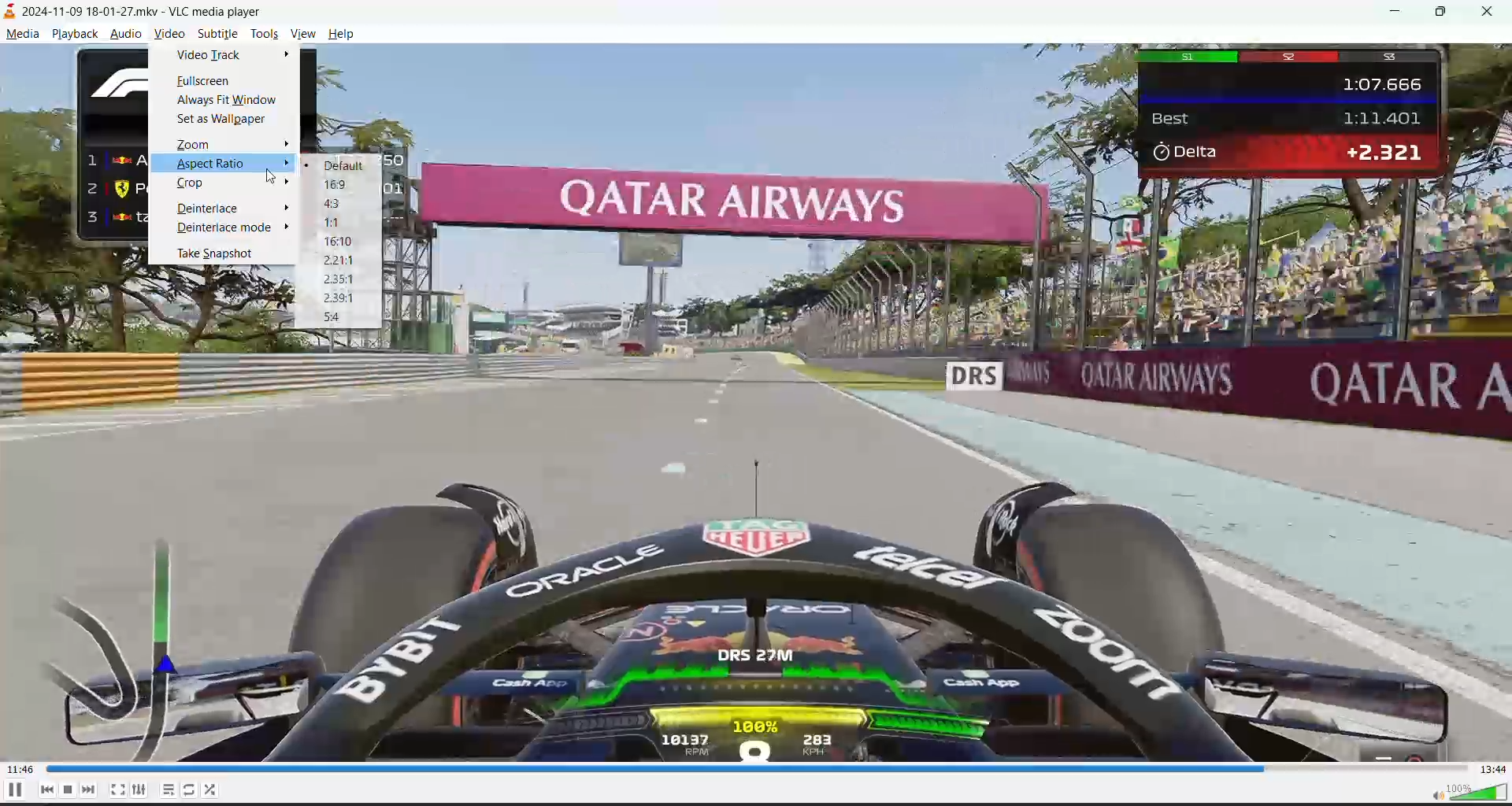 This screenshot has height=806, width=1512. I want to click on previous, so click(50, 788).